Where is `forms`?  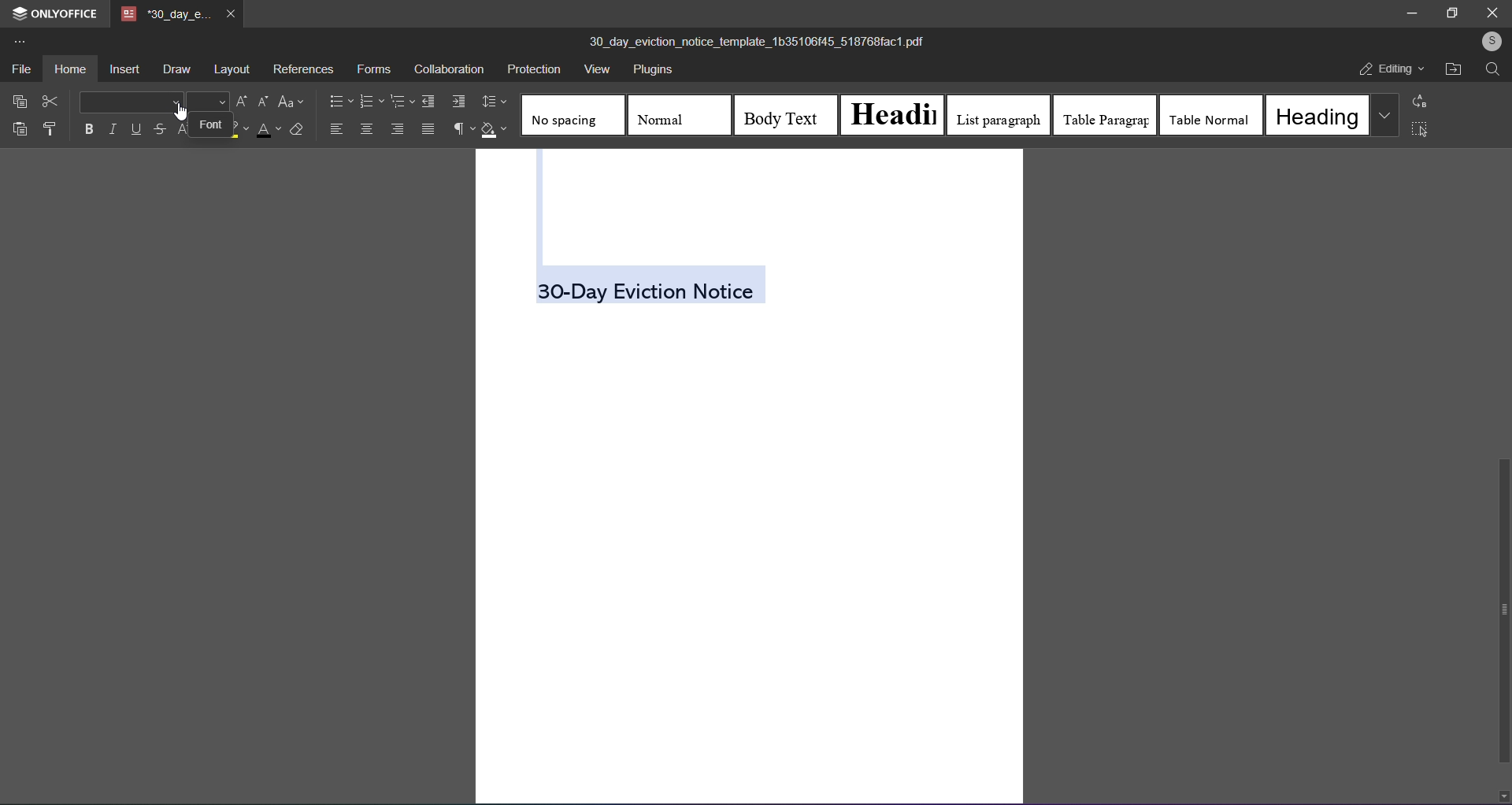
forms is located at coordinates (372, 69).